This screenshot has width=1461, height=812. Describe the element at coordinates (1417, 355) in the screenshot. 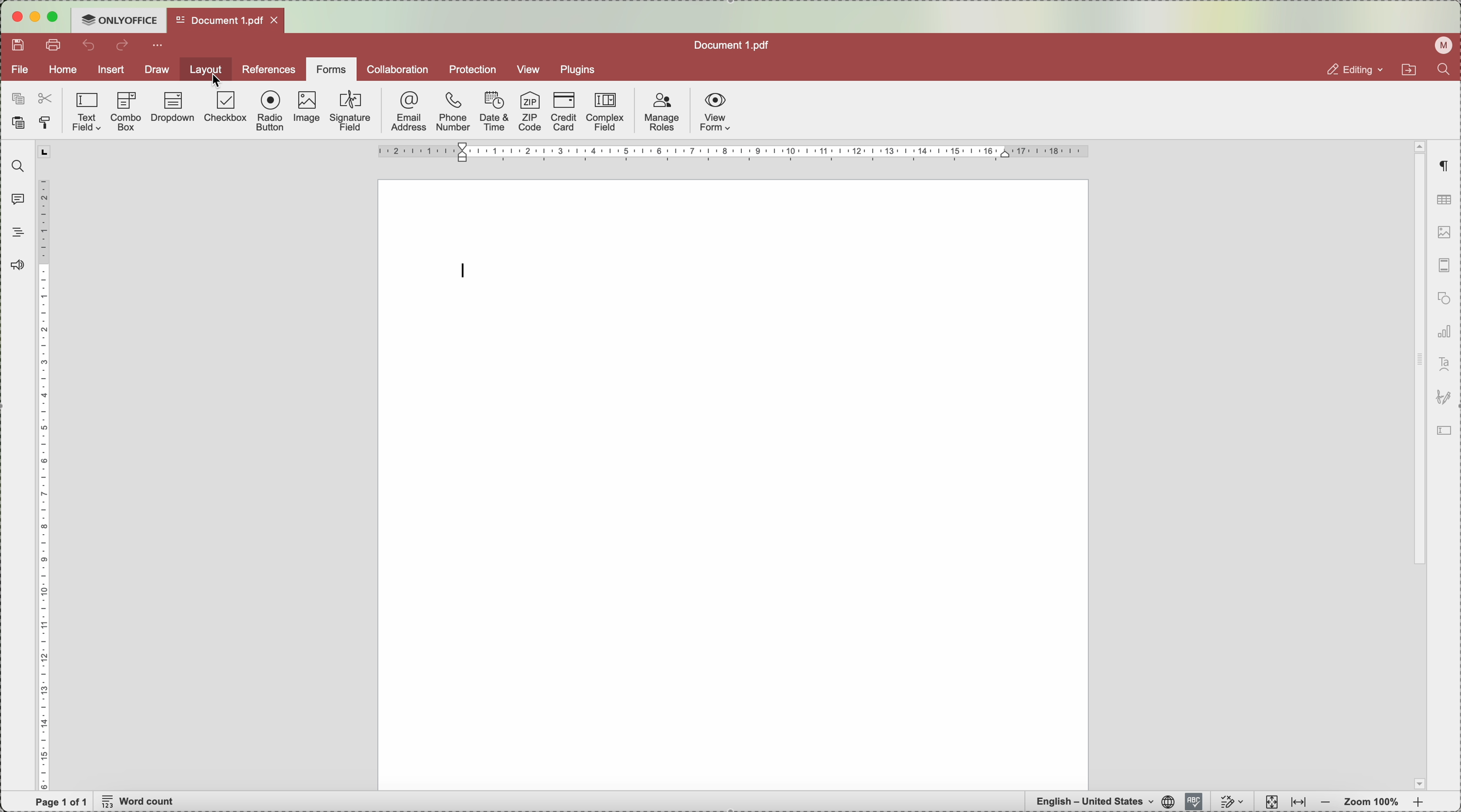

I see `scroll bar` at that location.